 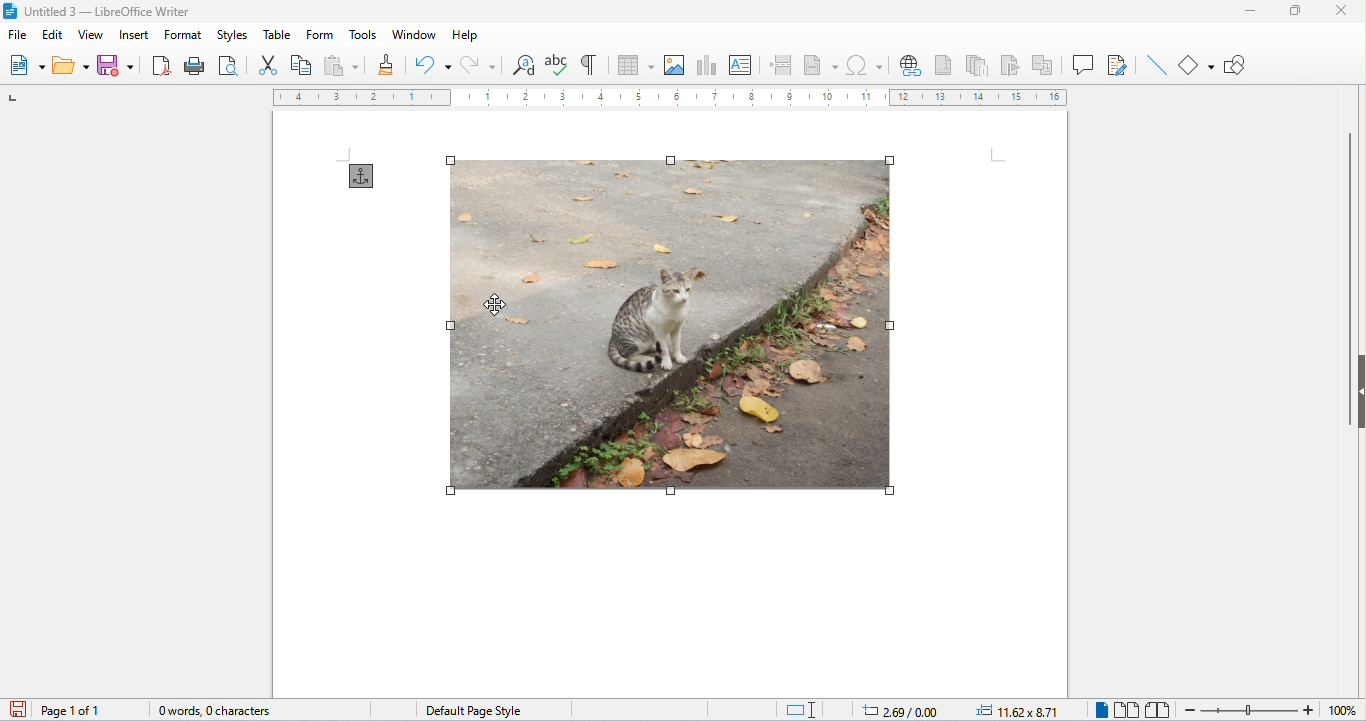 I want to click on undo, so click(x=432, y=66).